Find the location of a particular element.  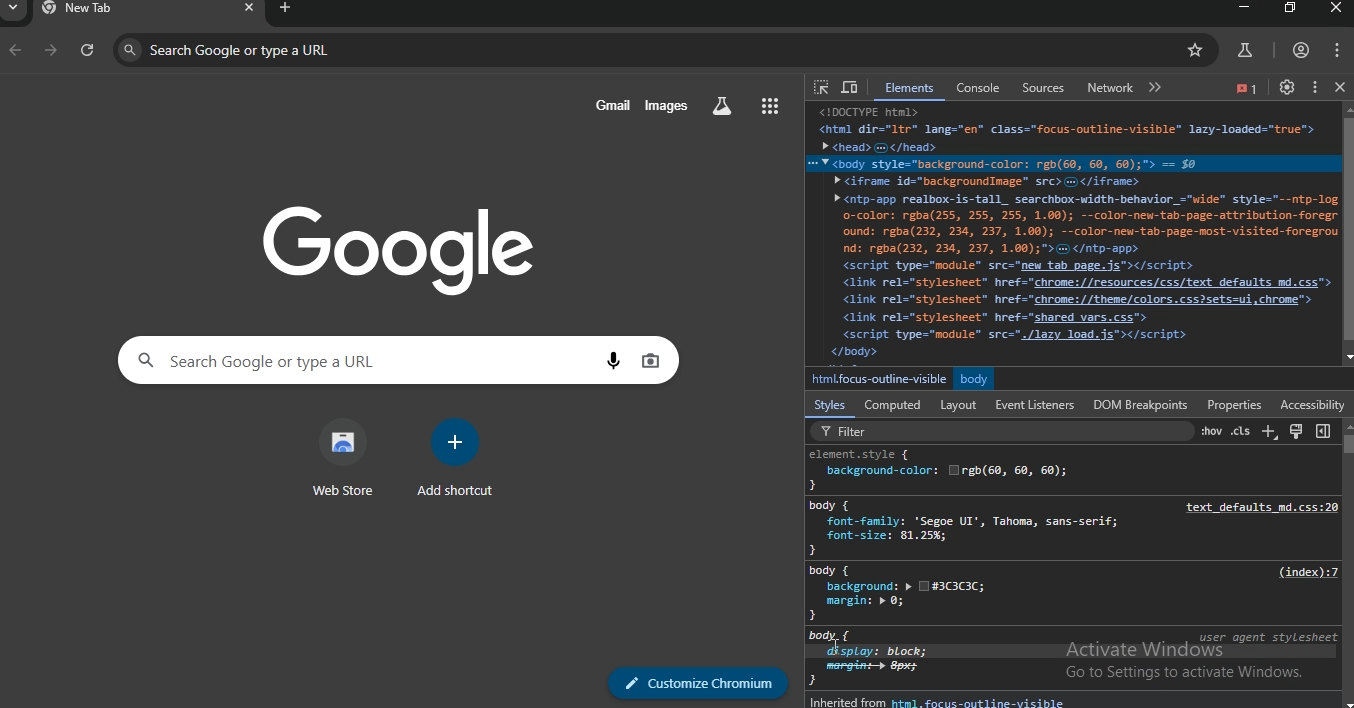

new style rule is located at coordinates (1268, 432).